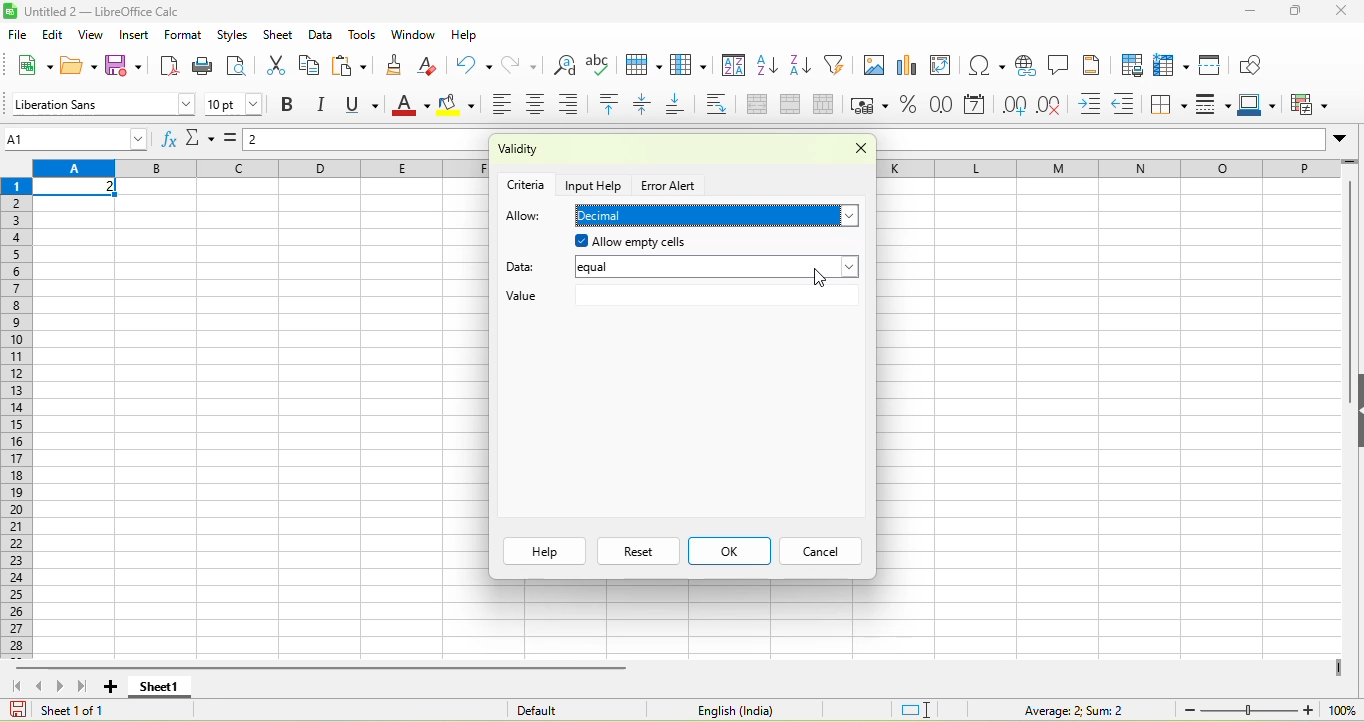  Describe the element at coordinates (1094, 105) in the screenshot. I see `increase indent` at that location.